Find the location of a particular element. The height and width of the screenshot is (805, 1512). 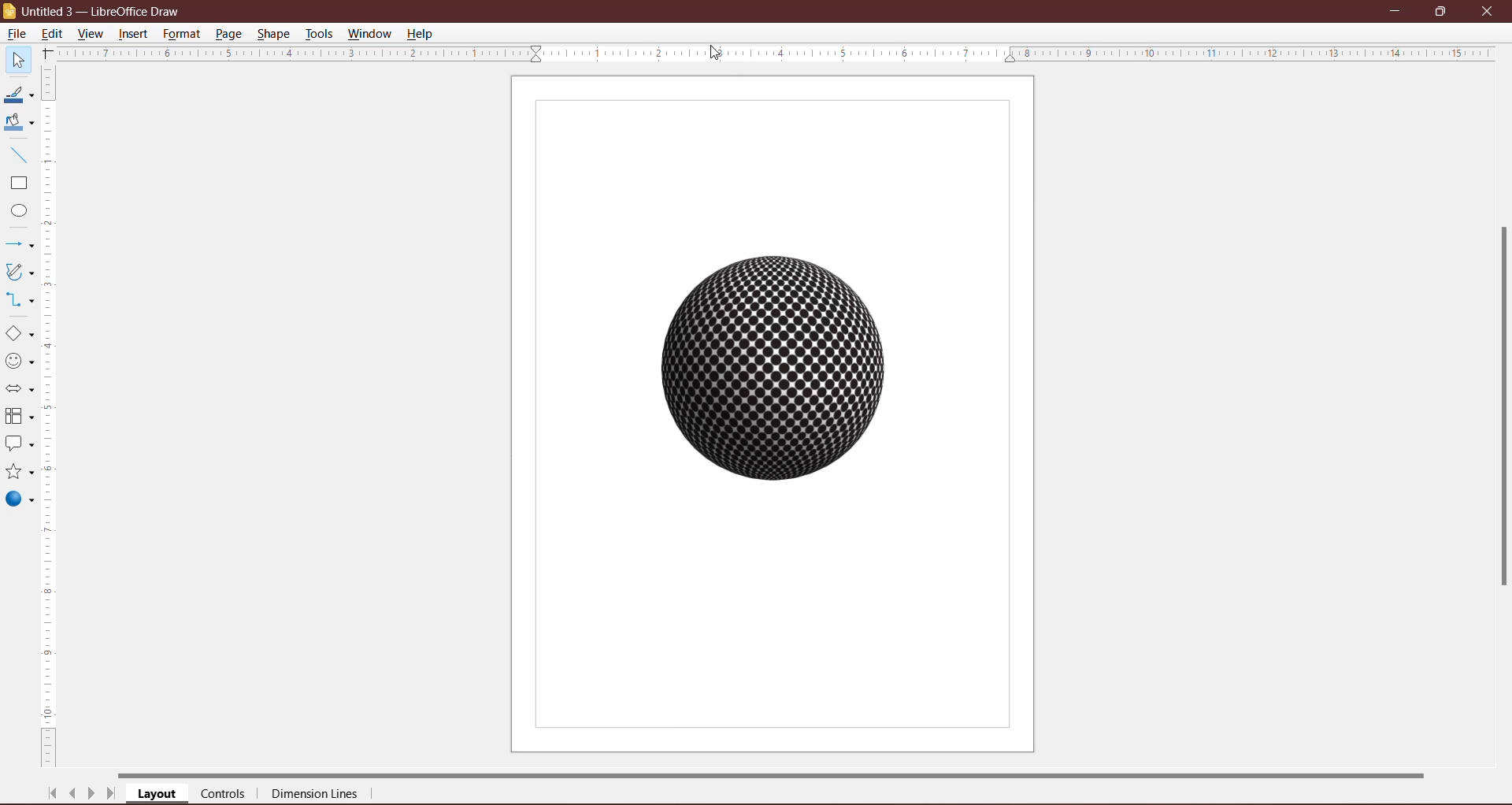

Close is located at coordinates (1487, 10).